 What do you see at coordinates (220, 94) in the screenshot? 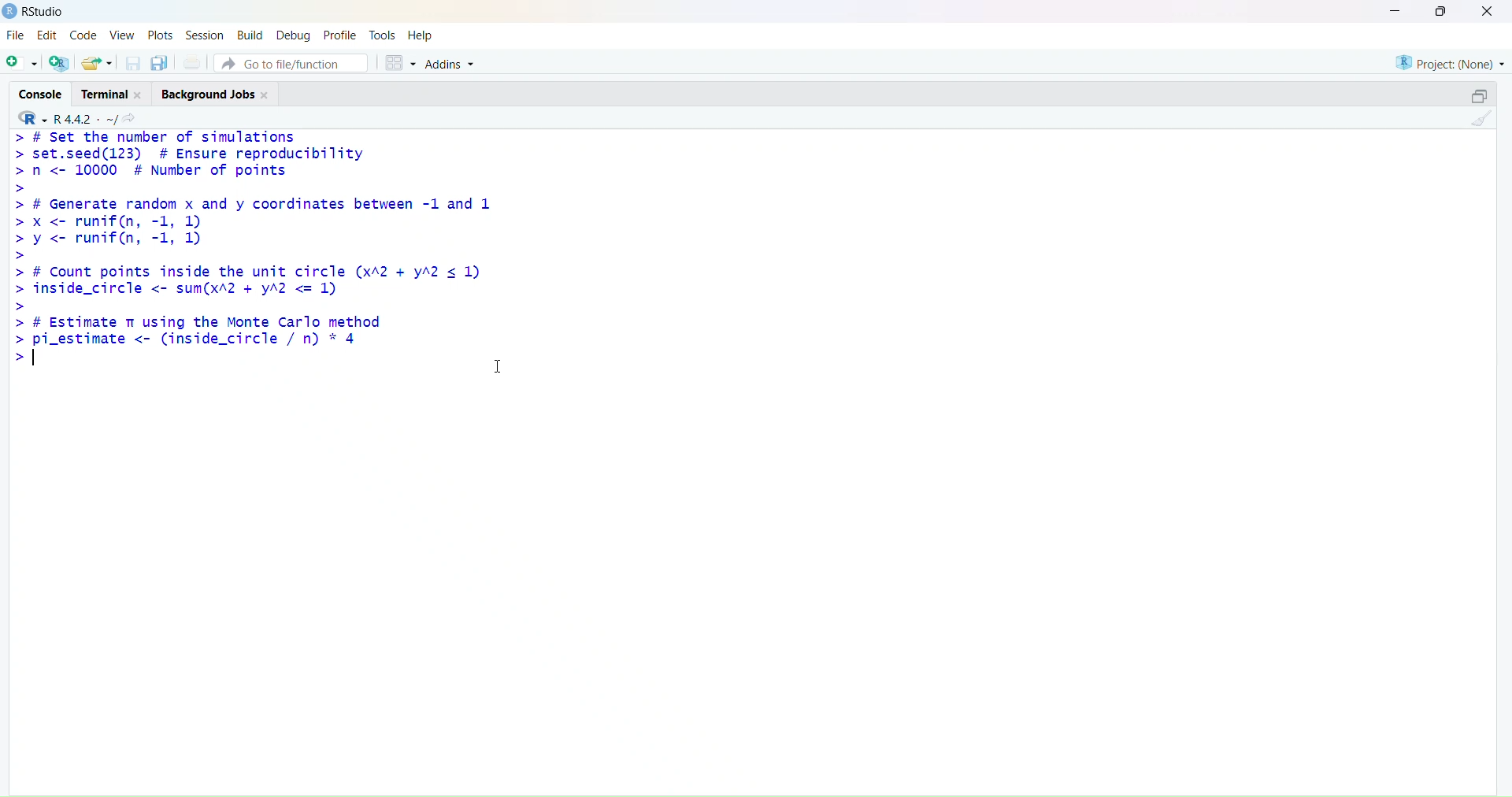
I see `Background Jobs` at bounding box center [220, 94].